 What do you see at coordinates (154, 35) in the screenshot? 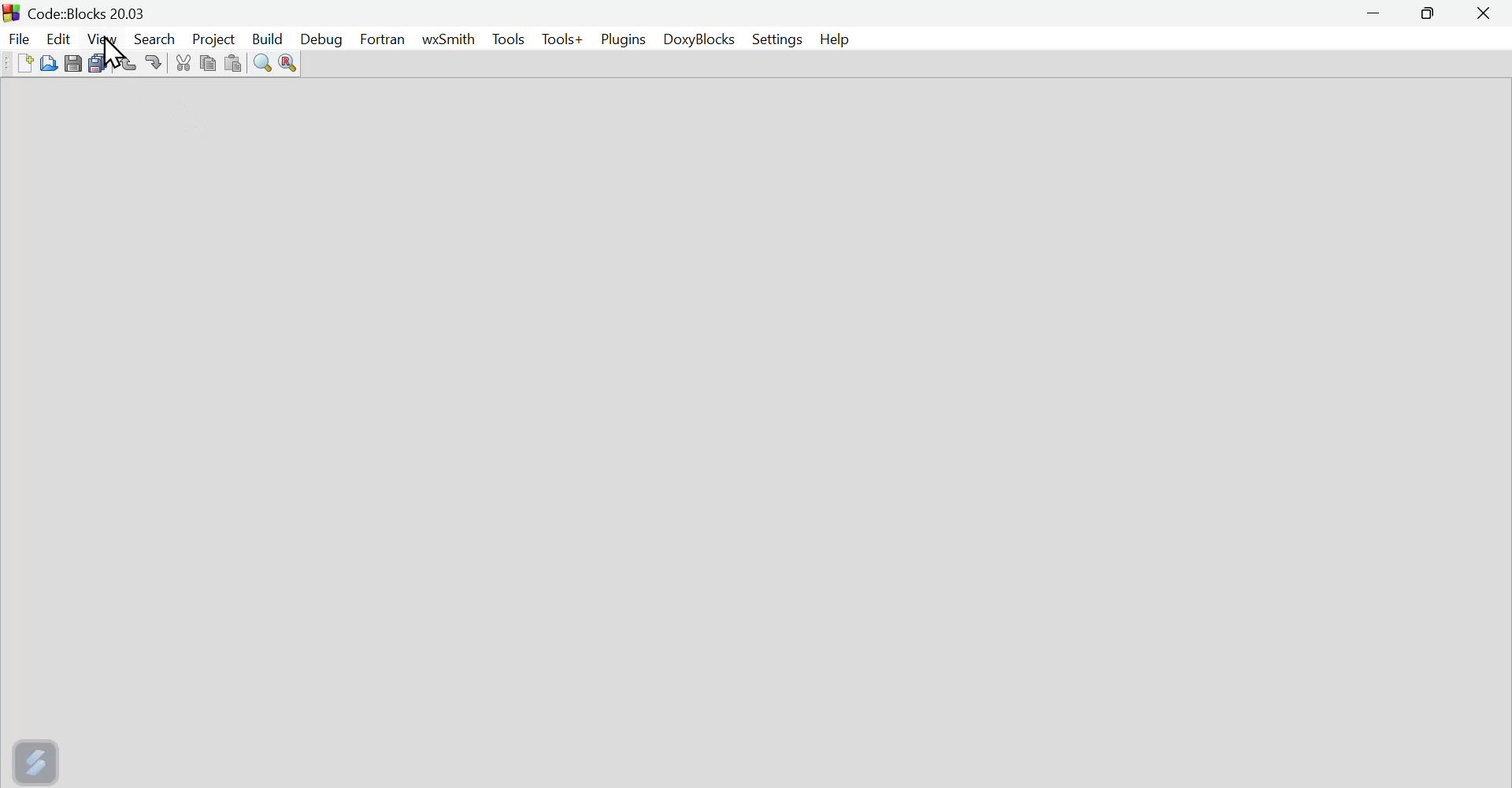
I see `Search` at bounding box center [154, 35].